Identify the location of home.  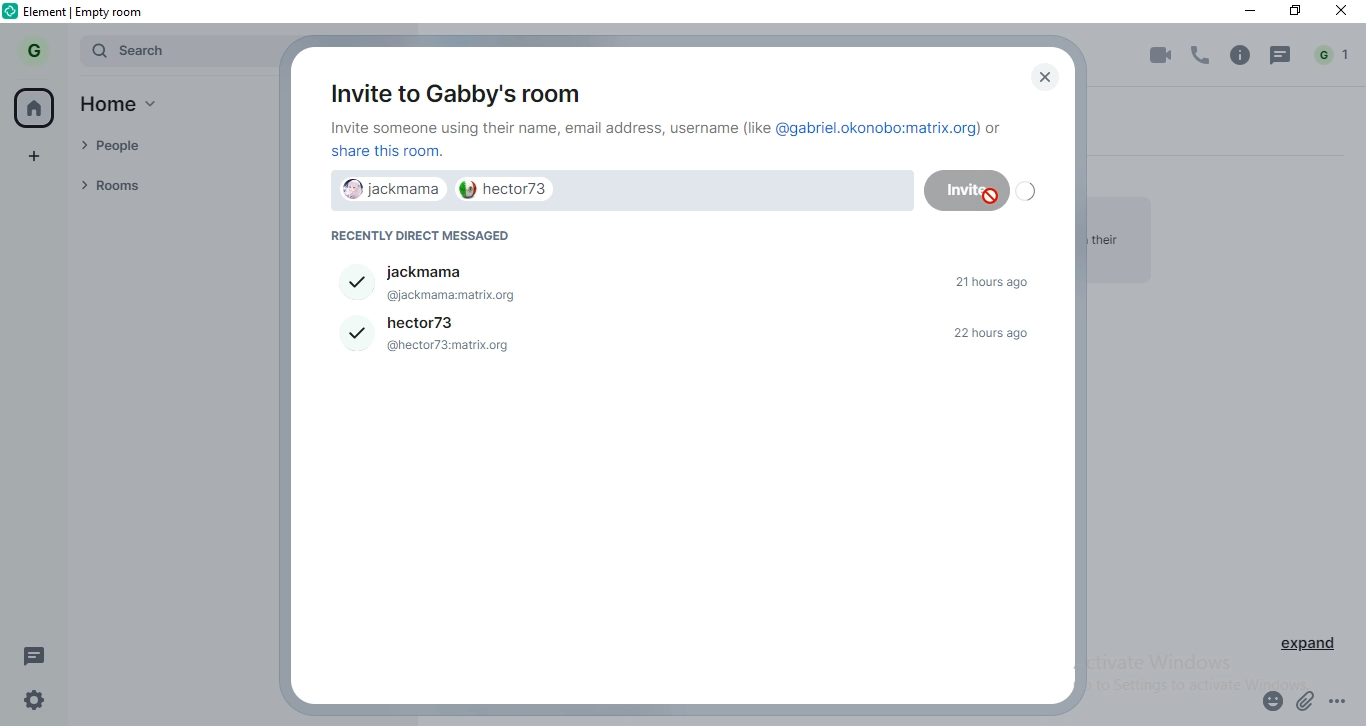
(37, 107).